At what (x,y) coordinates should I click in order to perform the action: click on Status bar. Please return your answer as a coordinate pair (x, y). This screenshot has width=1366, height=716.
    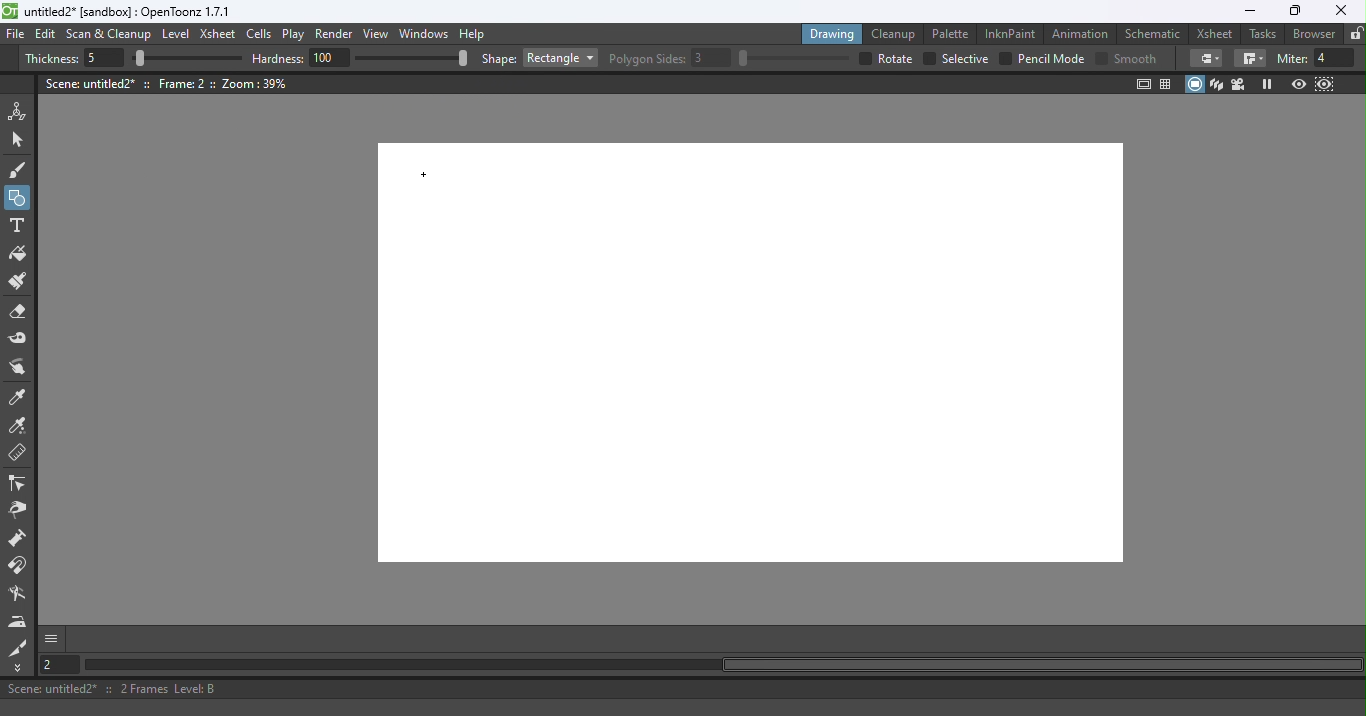
    Looking at the image, I should click on (683, 689).